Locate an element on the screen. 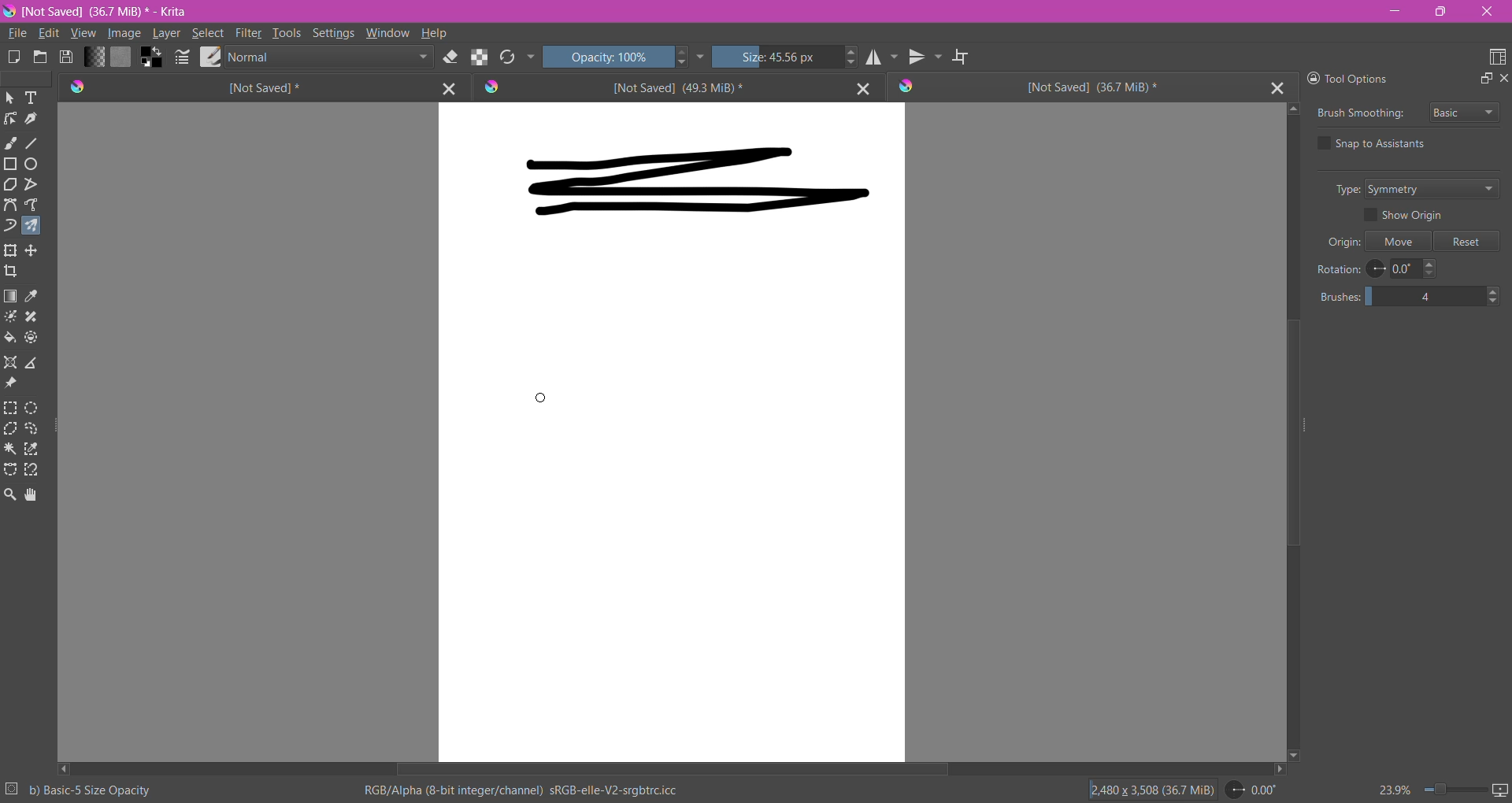 The height and width of the screenshot is (803, 1512). Polygonal Selection Tool is located at coordinates (11, 428).